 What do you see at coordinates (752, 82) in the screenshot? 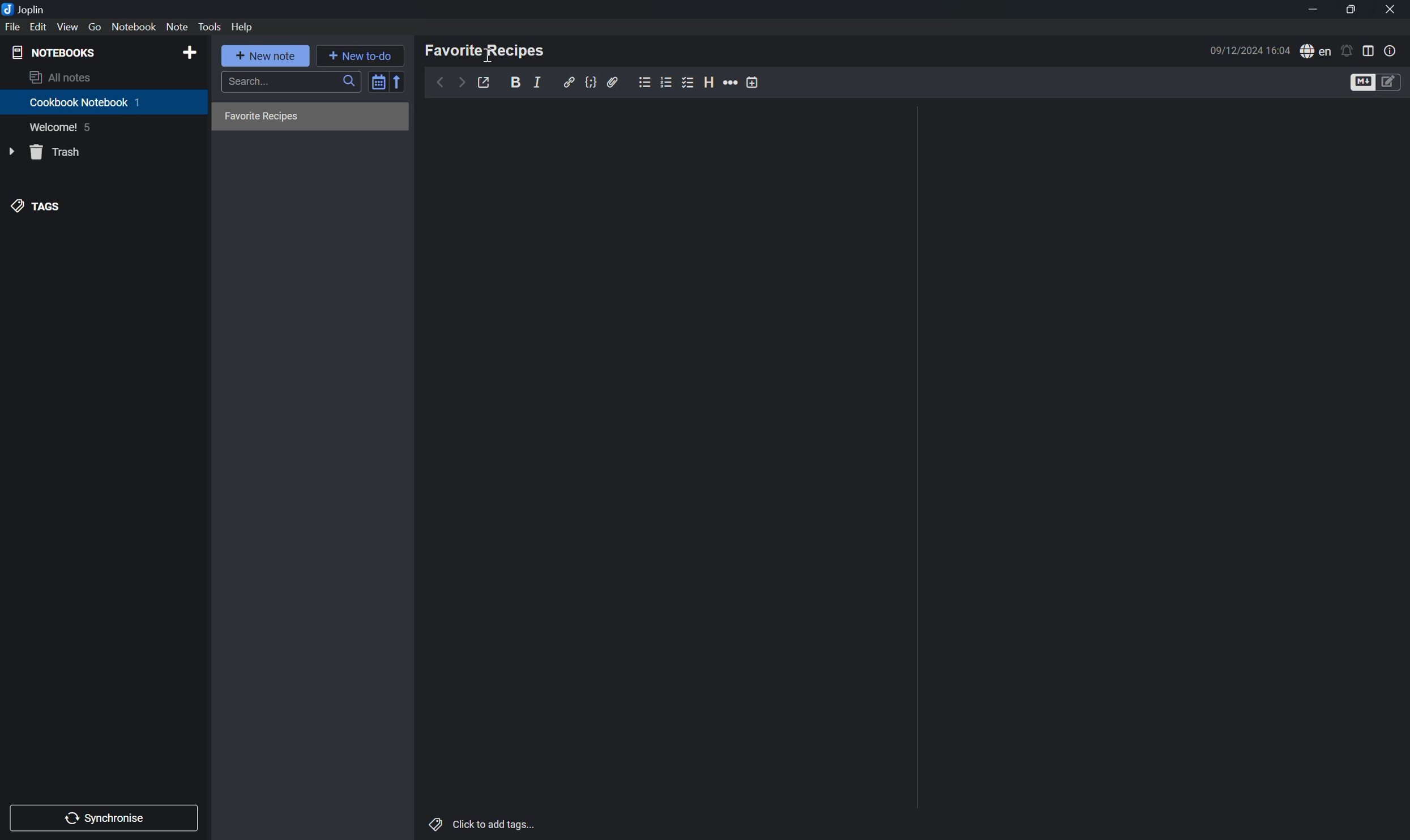
I see `Insert time` at bounding box center [752, 82].